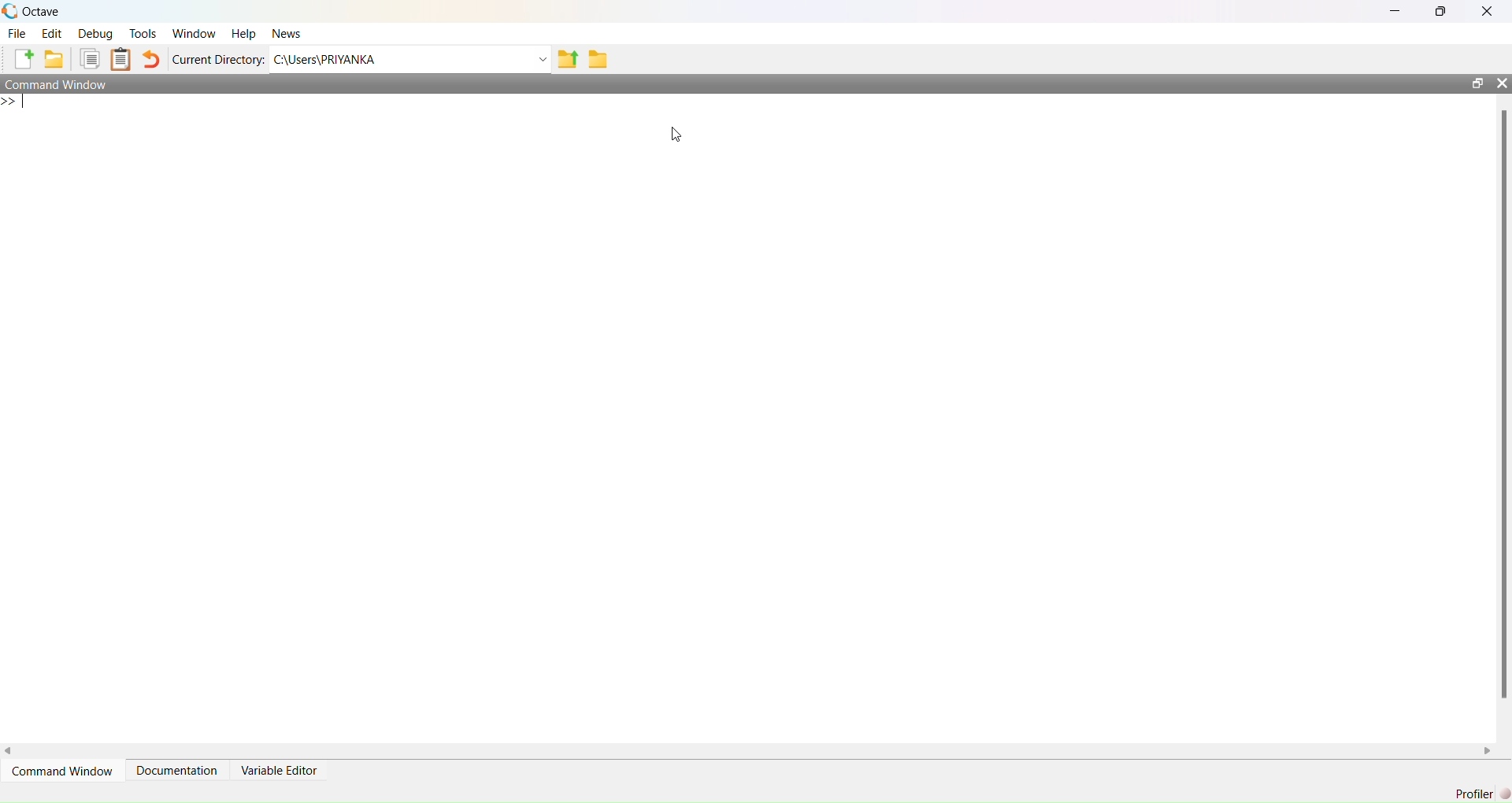 Image resolution: width=1512 pixels, height=803 pixels. I want to click on debug, so click(97, 34).